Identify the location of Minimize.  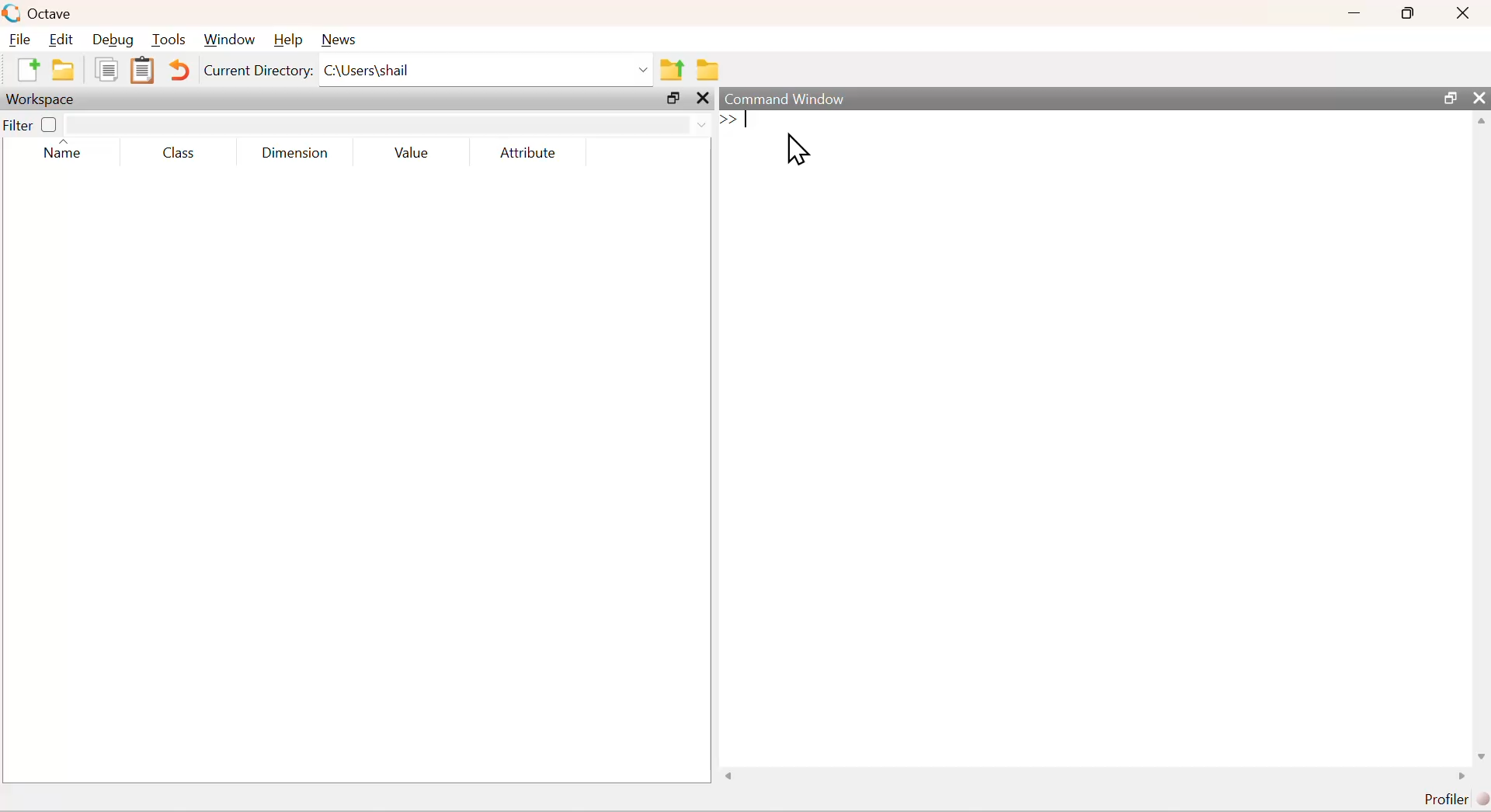
(1361, 12).